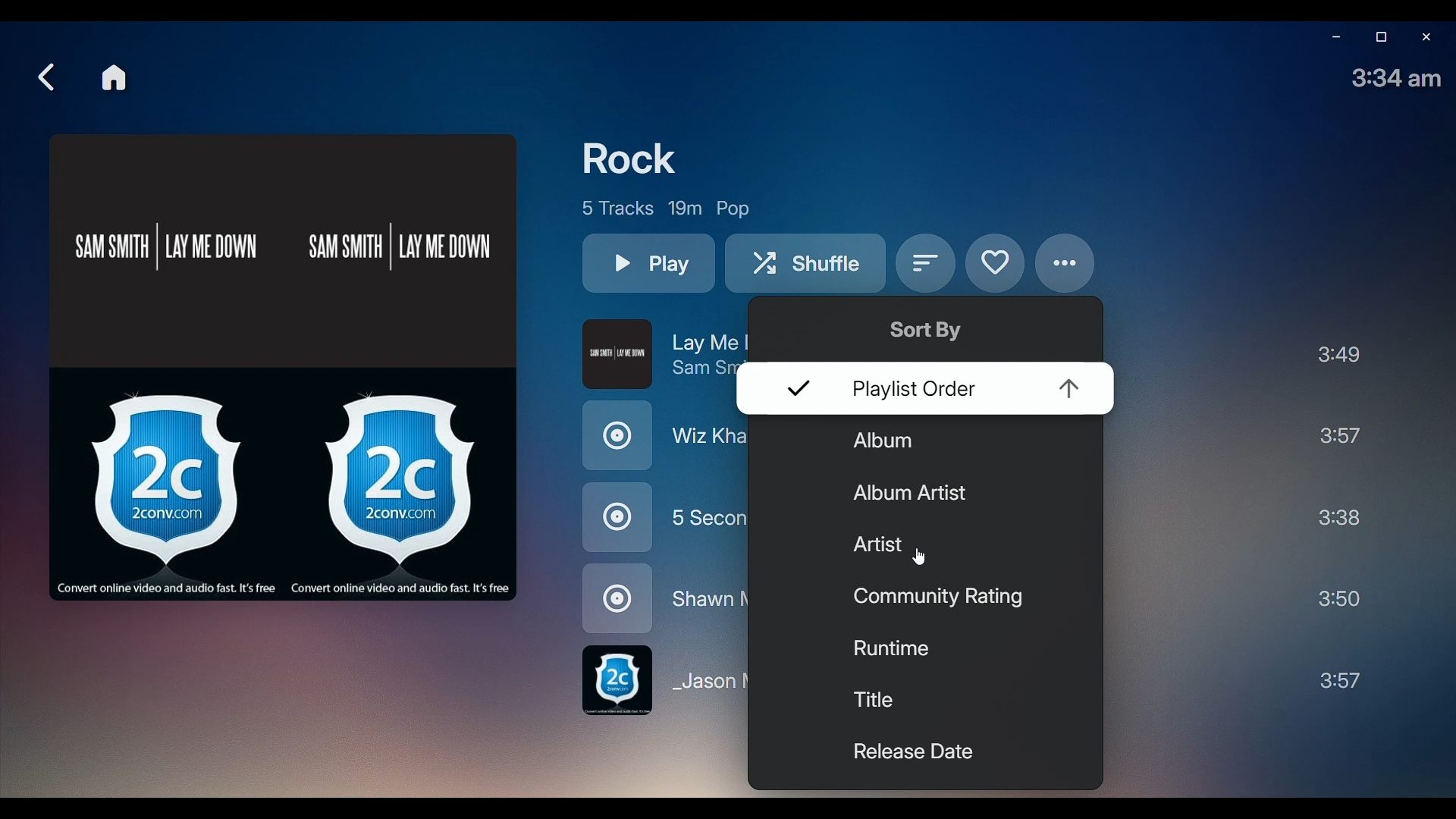 The image size is (1456, 819). Describe the element at coordinates (1332, 39) in the screenshot. I see `Minimize` at that location.